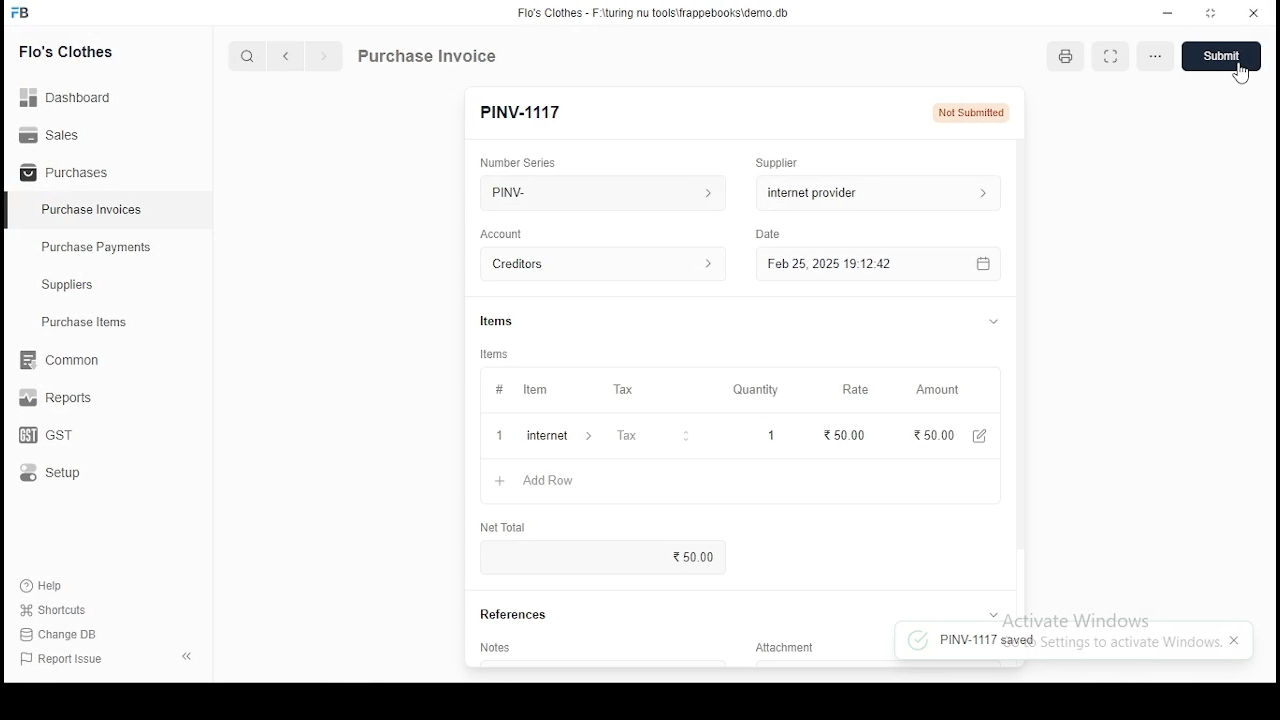 The height and width of the screenshot is (720, 1280). Describe the element at coordinates (65, 635) in the screenshot. I see `Change DB` at that location.